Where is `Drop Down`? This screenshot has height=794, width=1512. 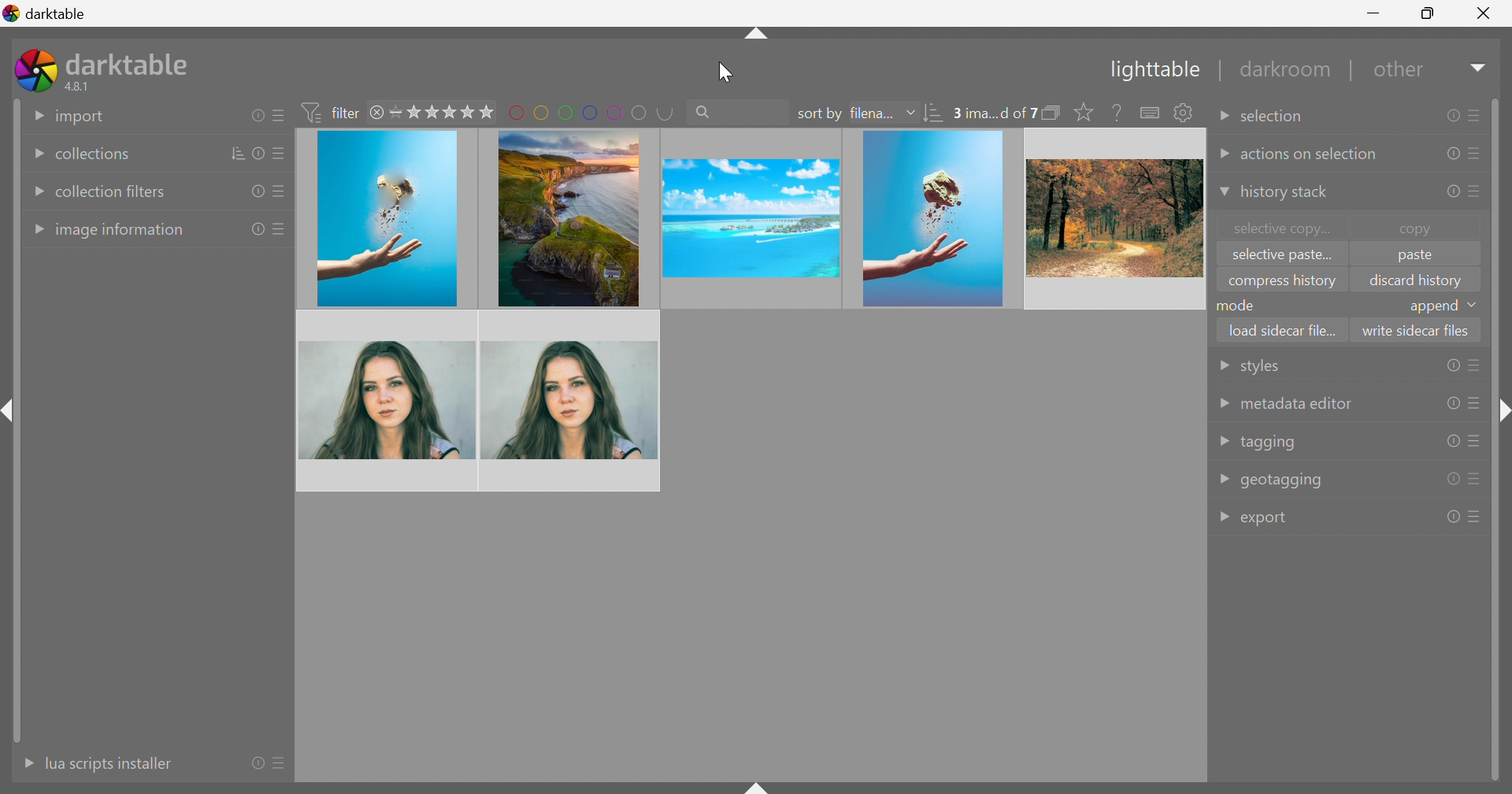 Drop Down is located at coordinates (1223, 518).